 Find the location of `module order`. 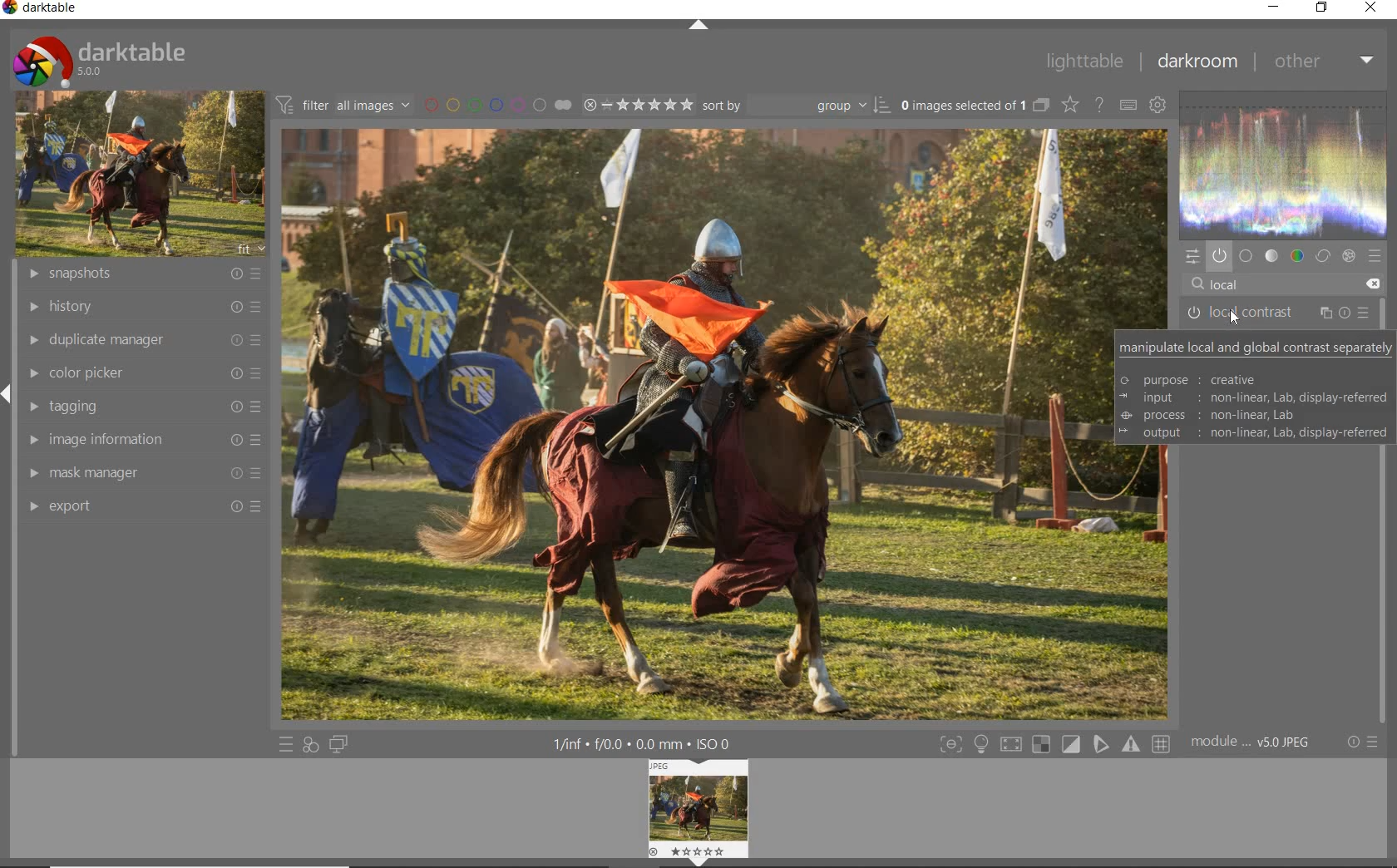

module order is located at coordinates (1258, 742).